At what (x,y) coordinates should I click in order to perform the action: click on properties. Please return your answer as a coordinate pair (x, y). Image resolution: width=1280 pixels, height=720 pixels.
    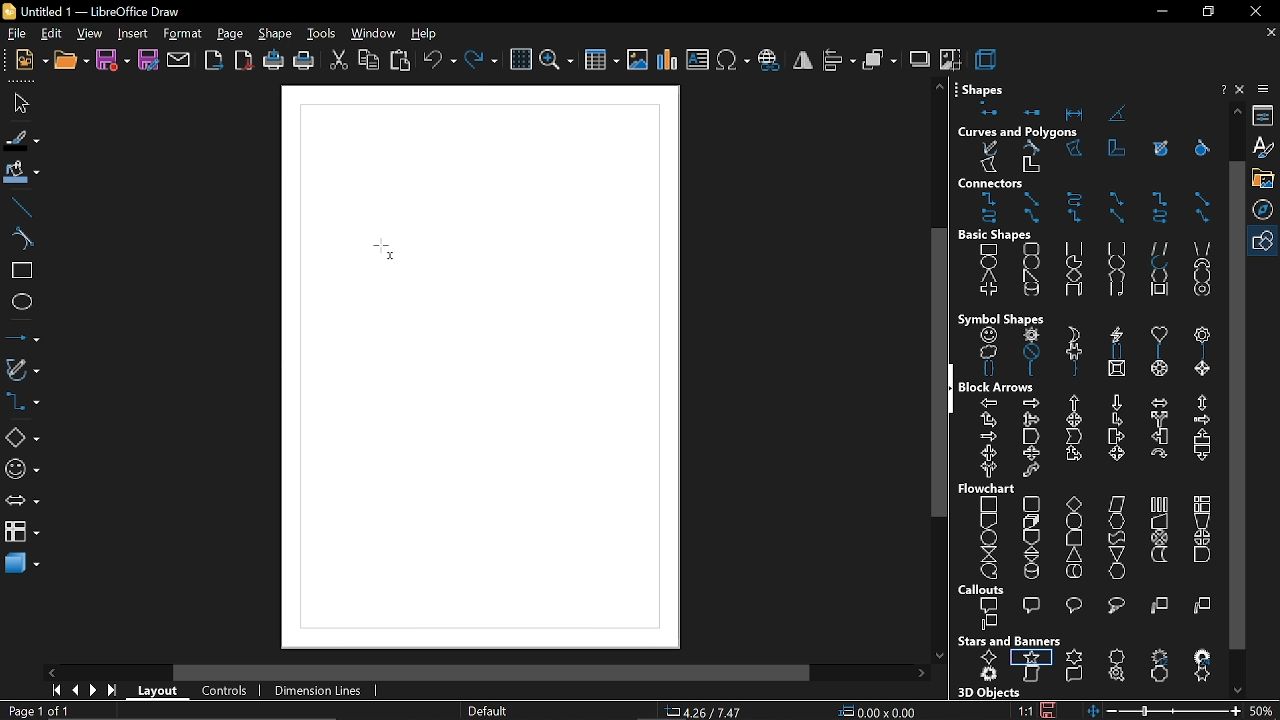
    Looking at the image, I should click on (1265, 115).